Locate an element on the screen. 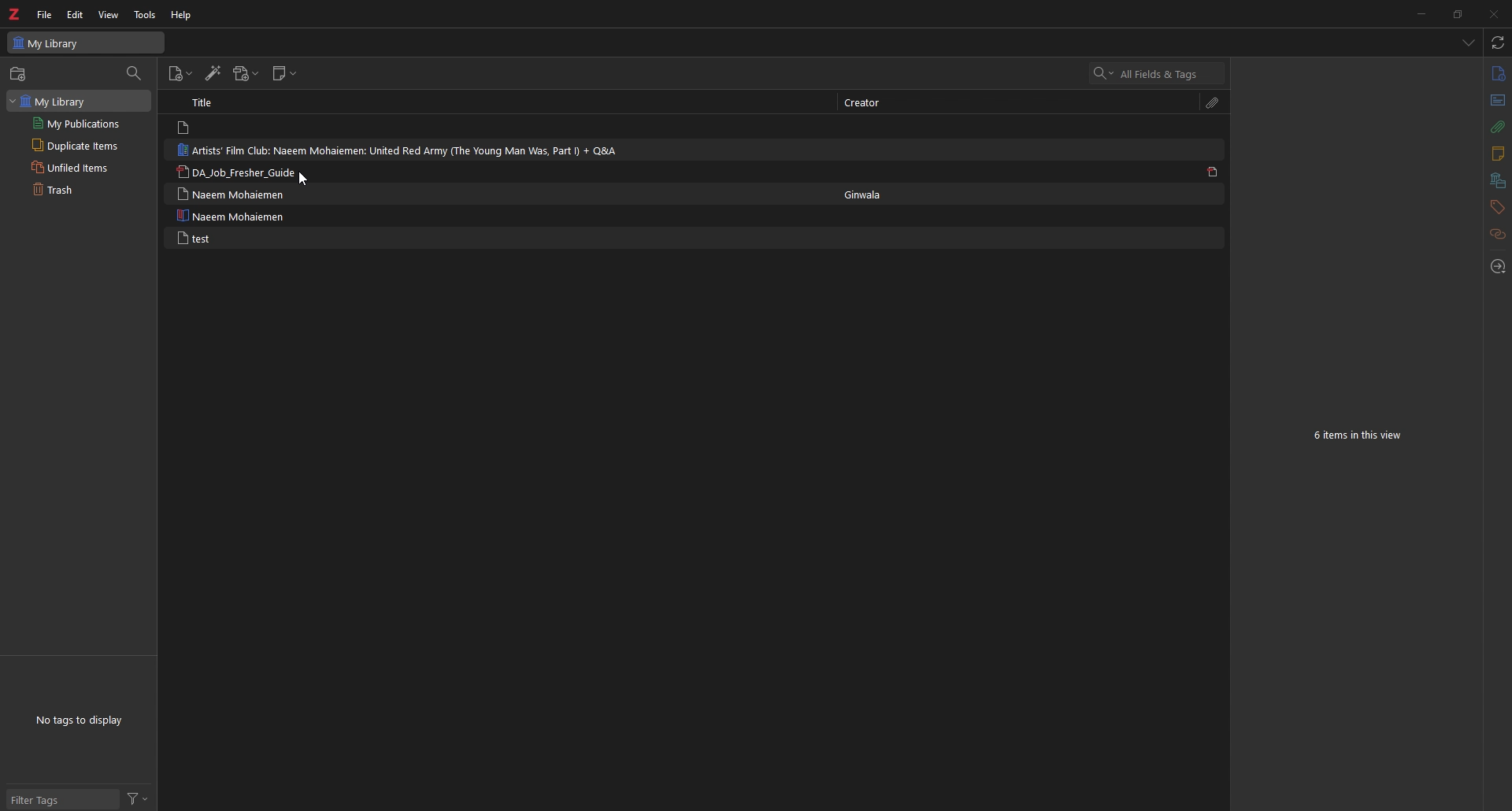  view is located at coordinates (109, 15).